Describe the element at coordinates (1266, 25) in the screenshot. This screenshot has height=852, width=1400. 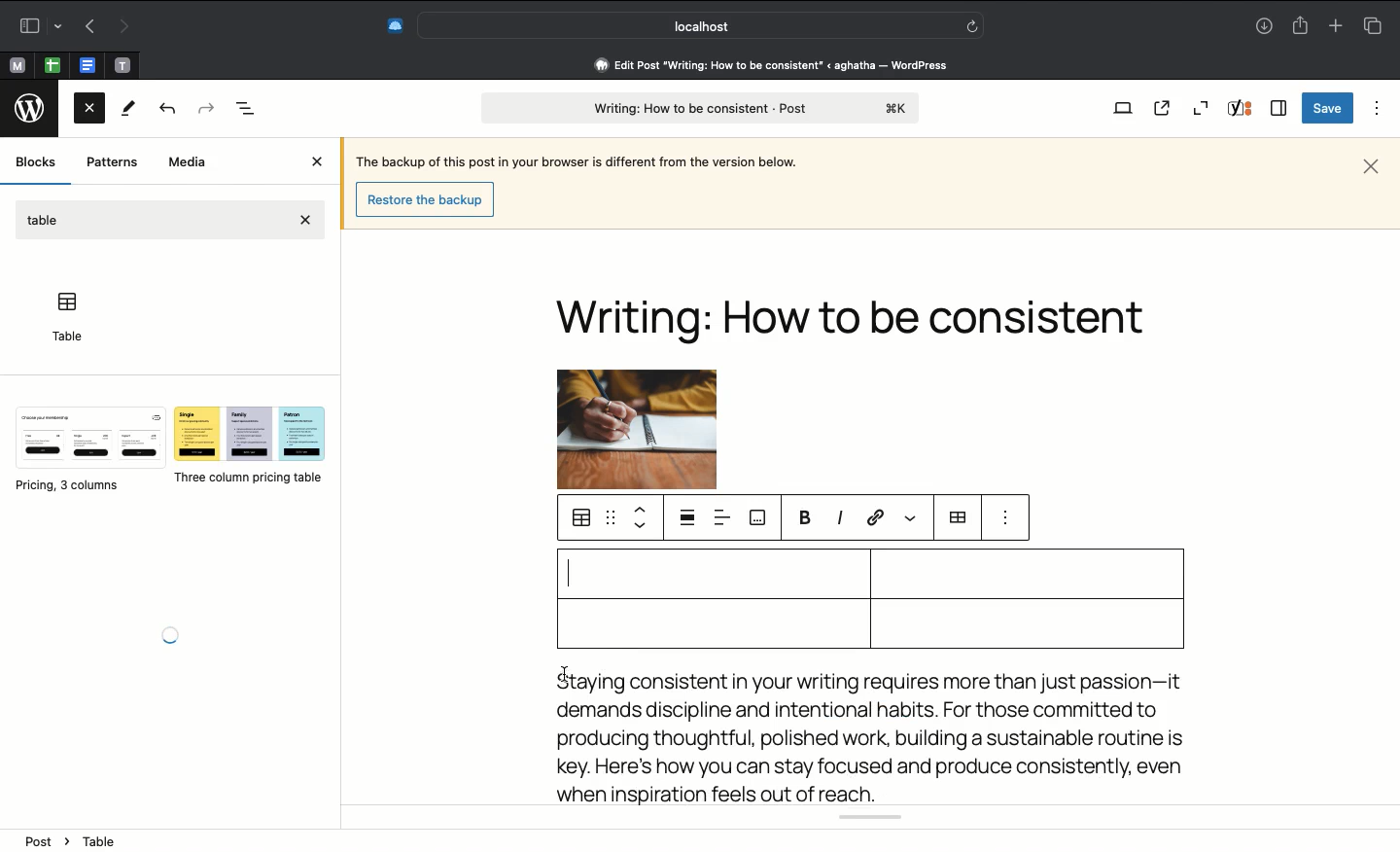
I see `Downloads` at that location.